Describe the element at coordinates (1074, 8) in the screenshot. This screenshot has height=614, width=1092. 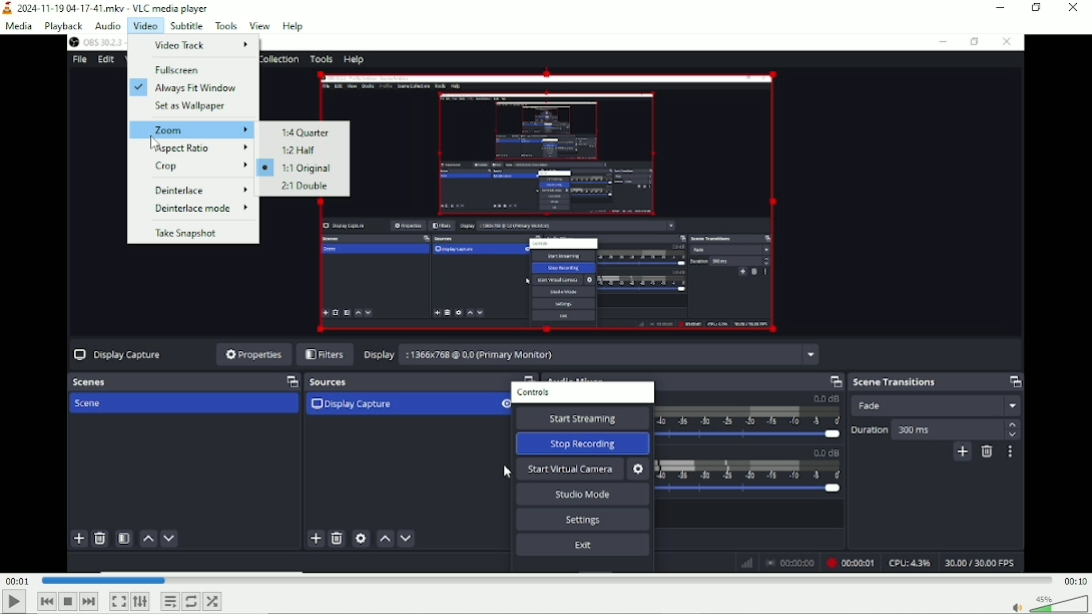
I see `Close` at that location.